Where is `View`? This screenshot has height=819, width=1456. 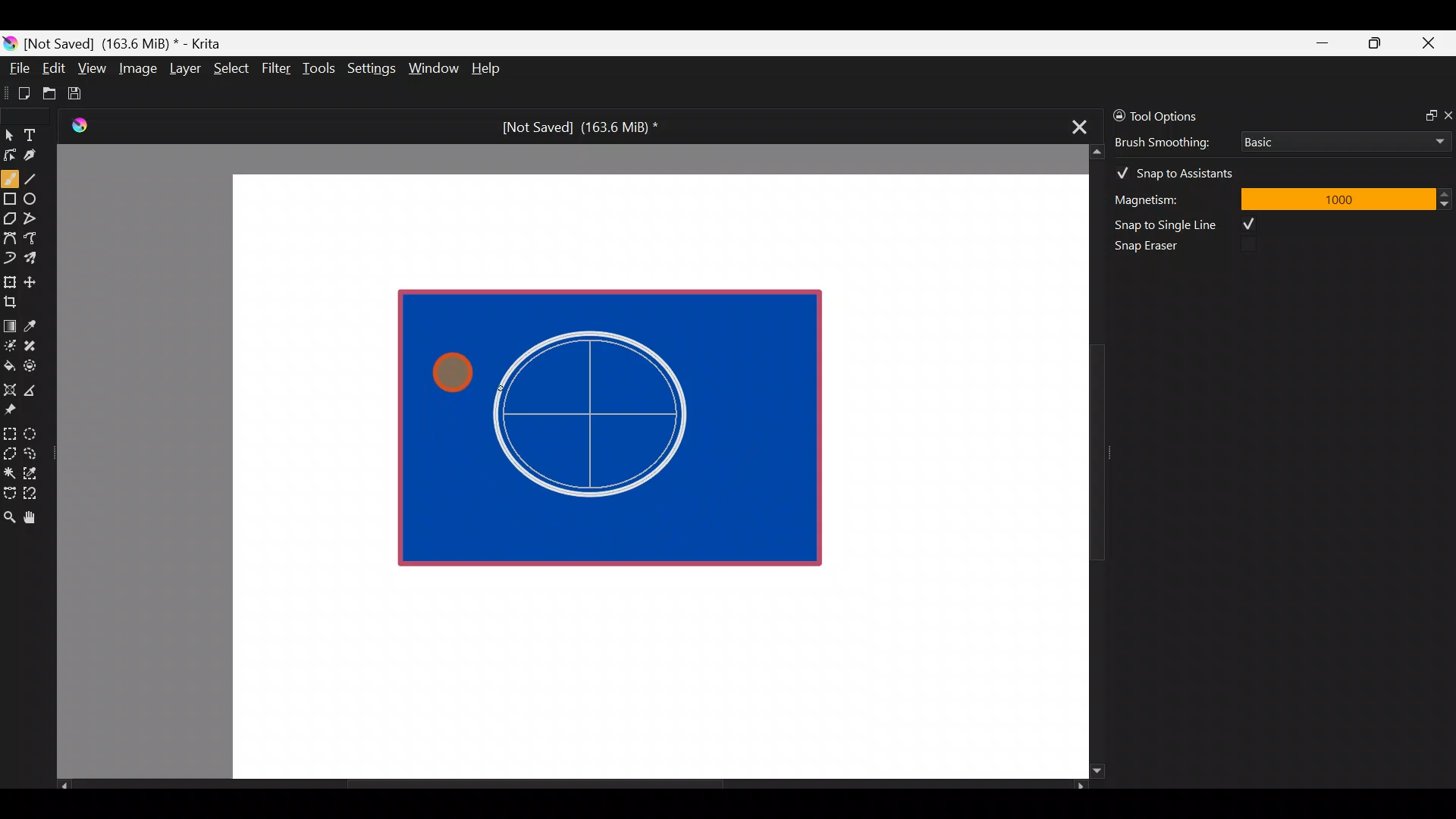
View is located at coordinates (93, 68).